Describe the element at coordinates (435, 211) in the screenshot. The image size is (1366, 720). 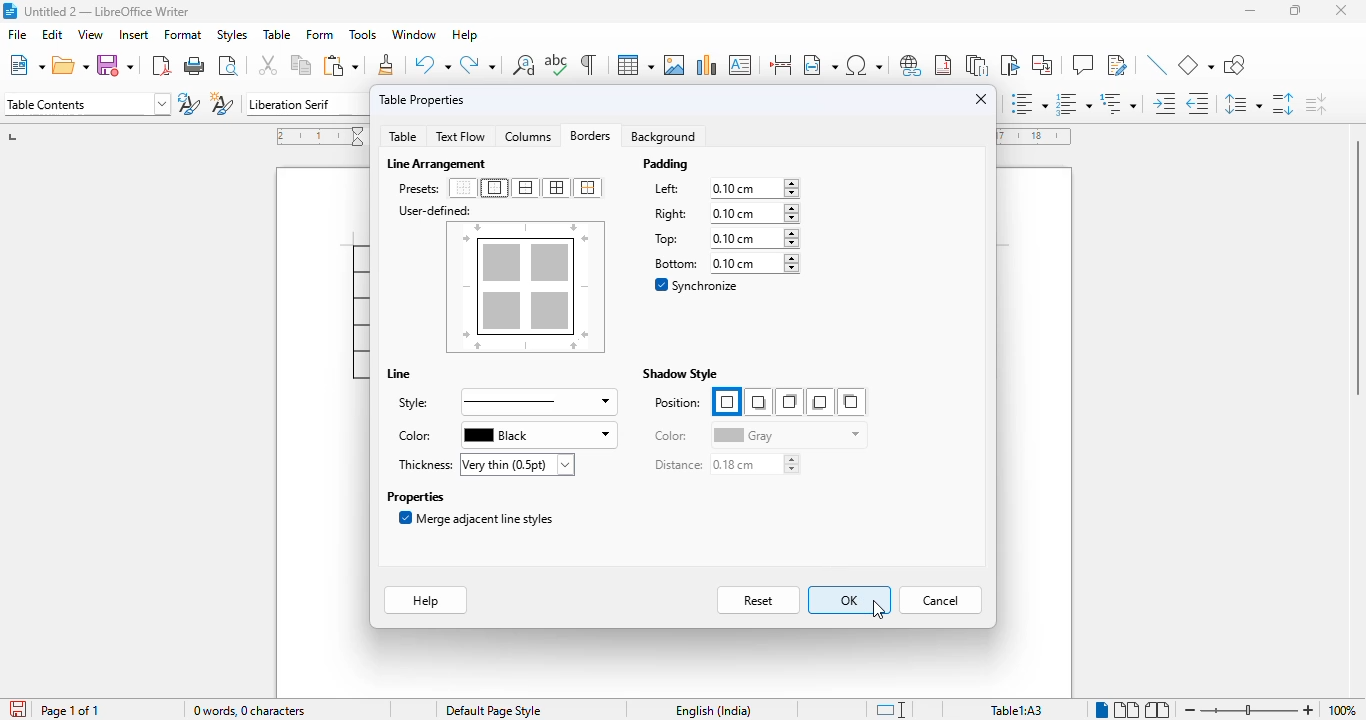
I see `user-defined` at that location.